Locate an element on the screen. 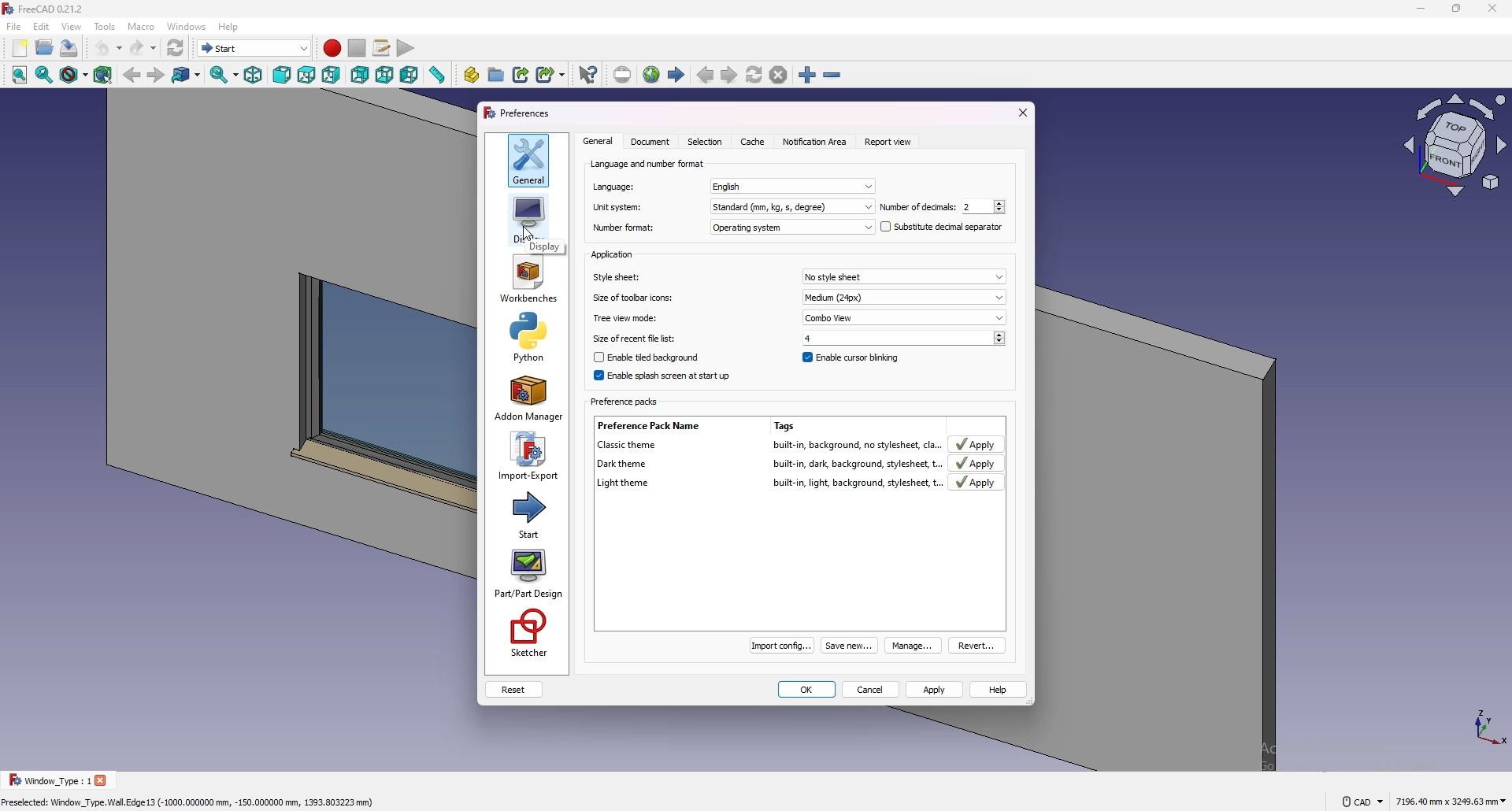  General is located at coordinates (600, 141).